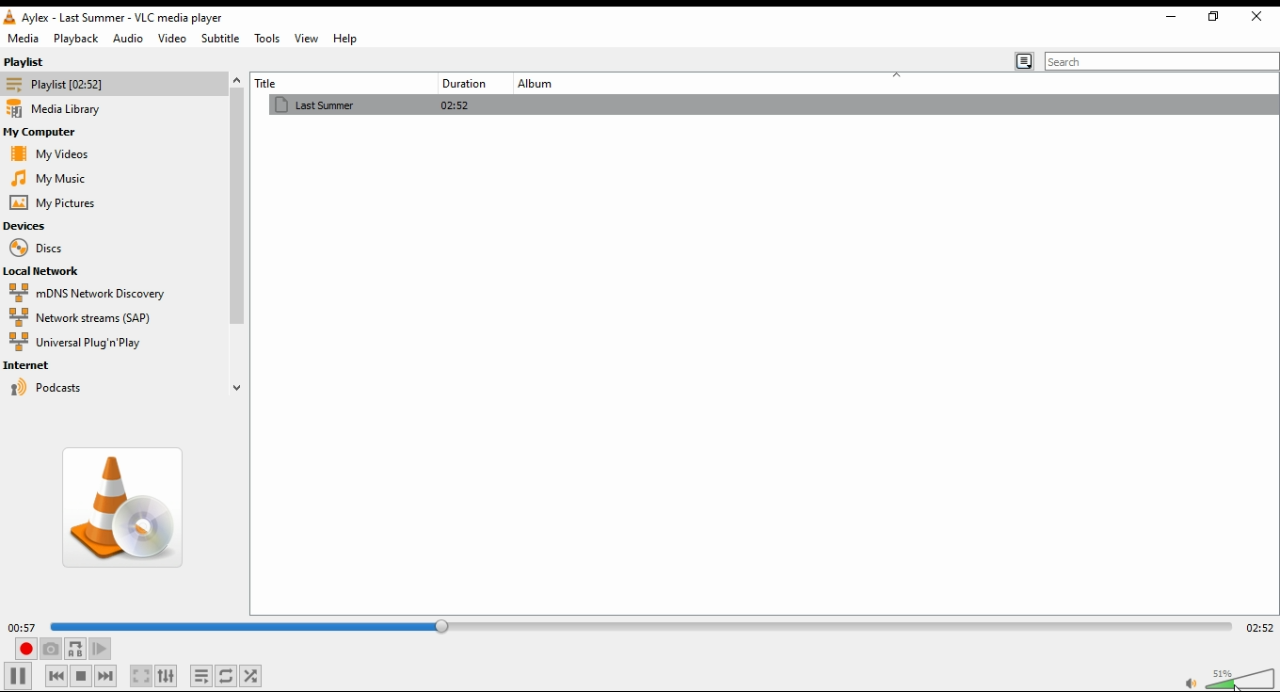 The width and height of the screenshot is (1280, 692). What do you see at coordinates (35, 365) in the screenshot?
I see `internet` at bounding box center [35, 365].